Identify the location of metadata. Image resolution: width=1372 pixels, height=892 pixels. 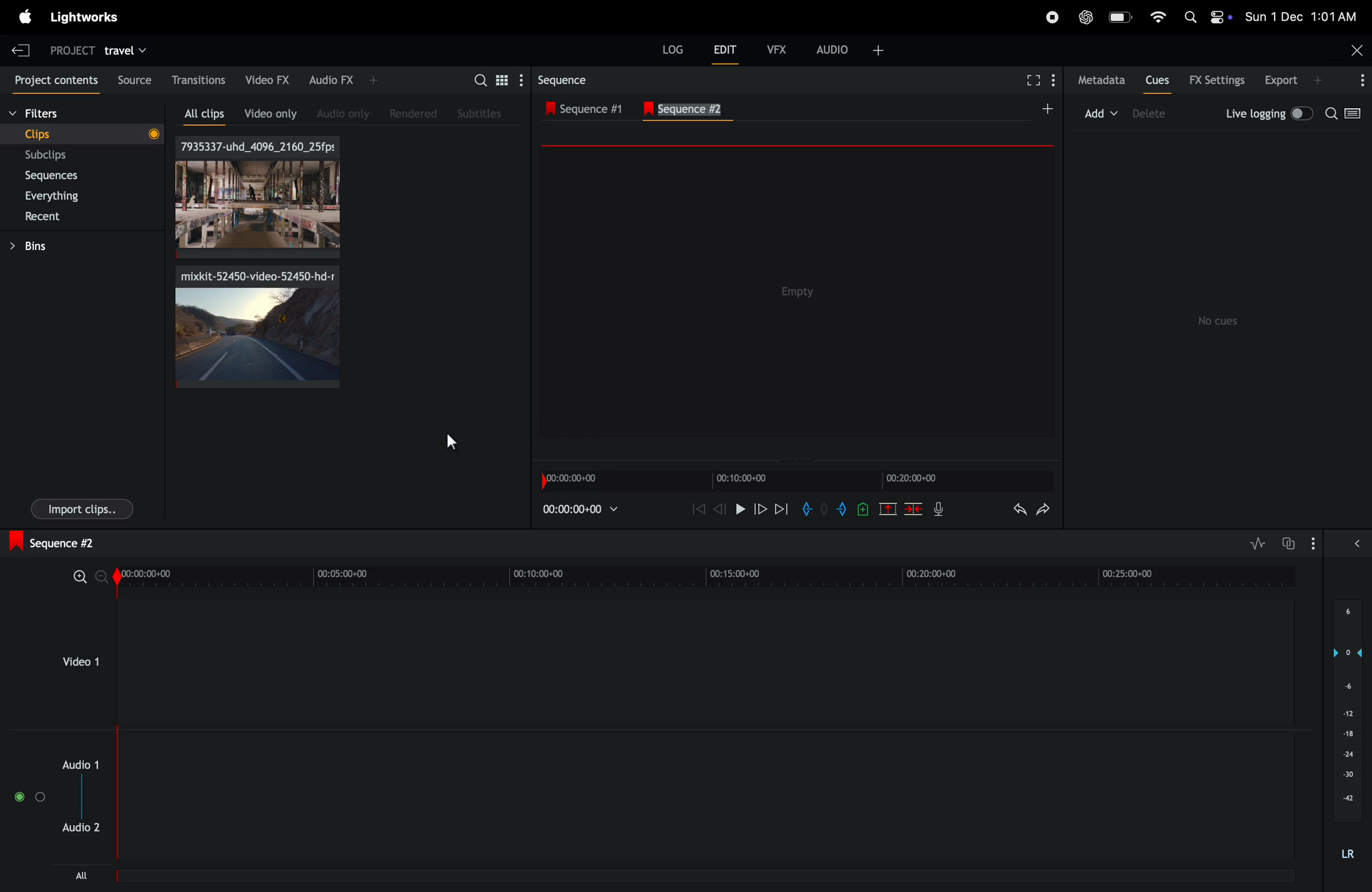
(1103, 81).